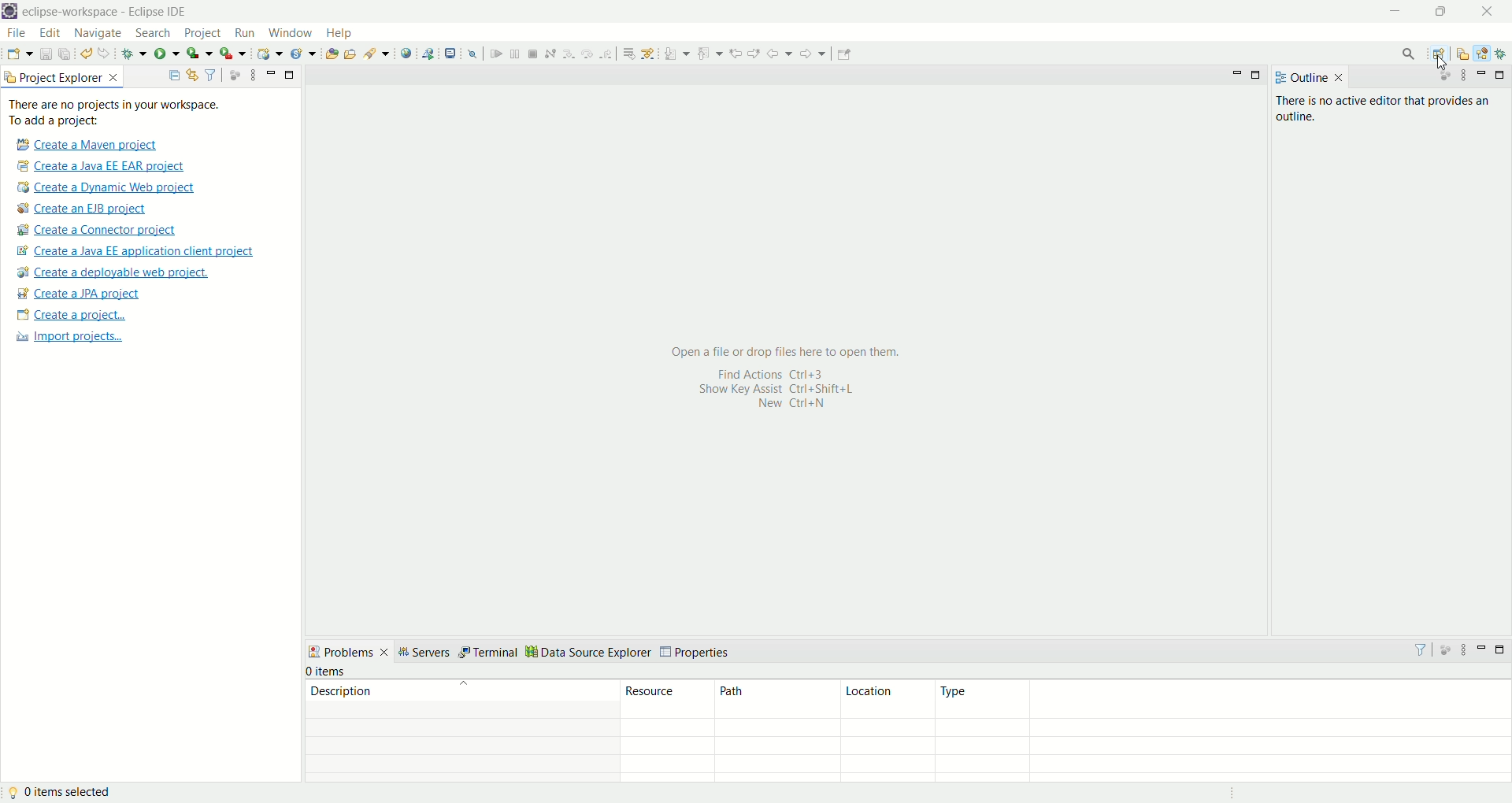 This screenshot has width=1512, height=803. I want to click on window, so click(292, 33).